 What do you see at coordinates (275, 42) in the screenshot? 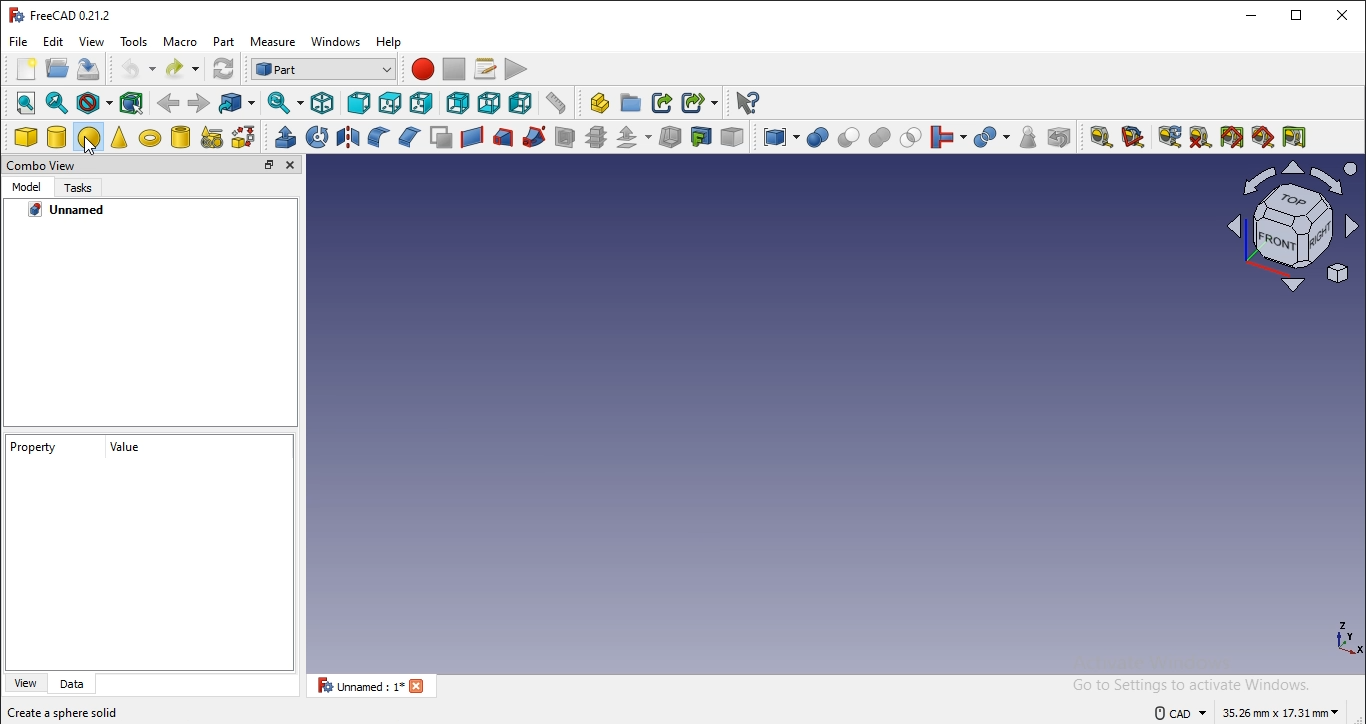
I see `measure` at bounding box center [275, 42].